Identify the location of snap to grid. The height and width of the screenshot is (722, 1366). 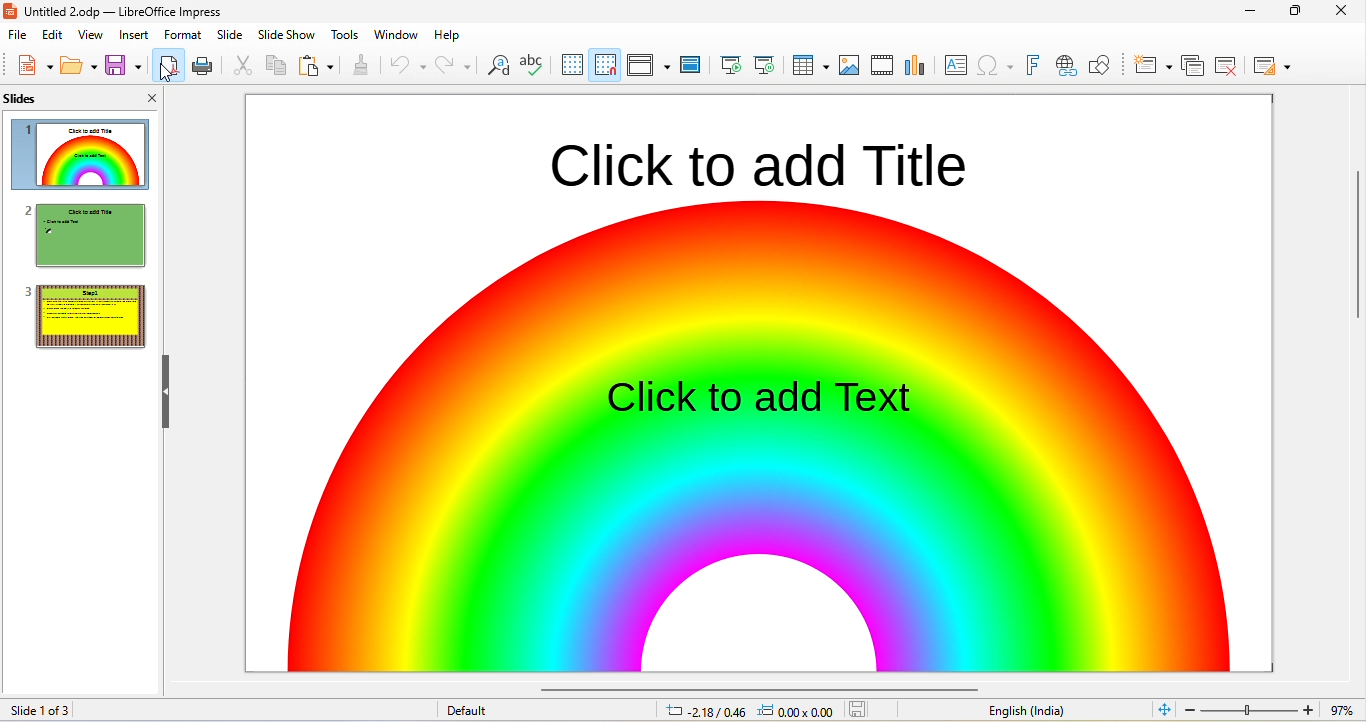
(604, 67).